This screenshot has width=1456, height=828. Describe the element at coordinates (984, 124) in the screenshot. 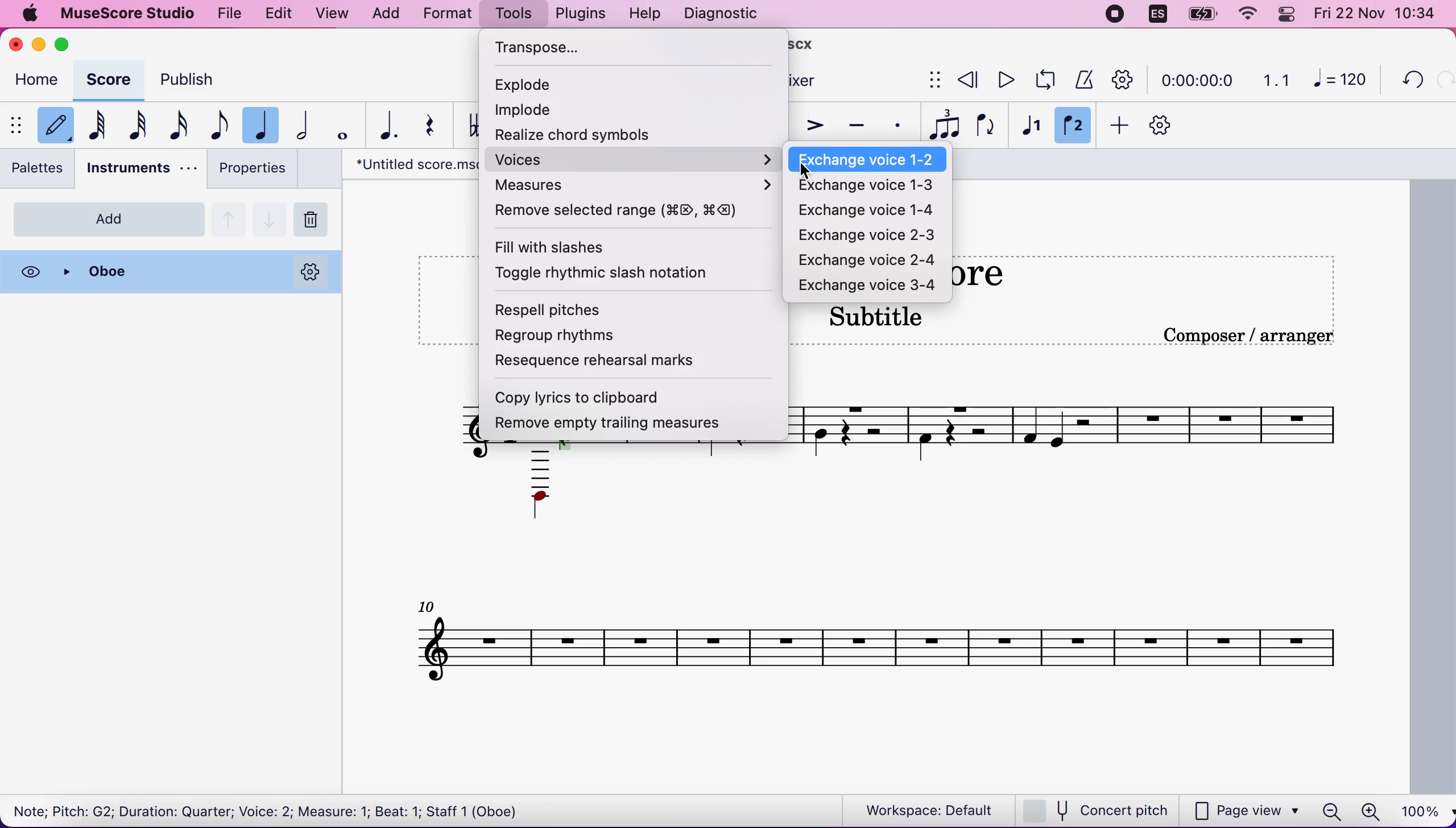

I see `flip direction` at that location.